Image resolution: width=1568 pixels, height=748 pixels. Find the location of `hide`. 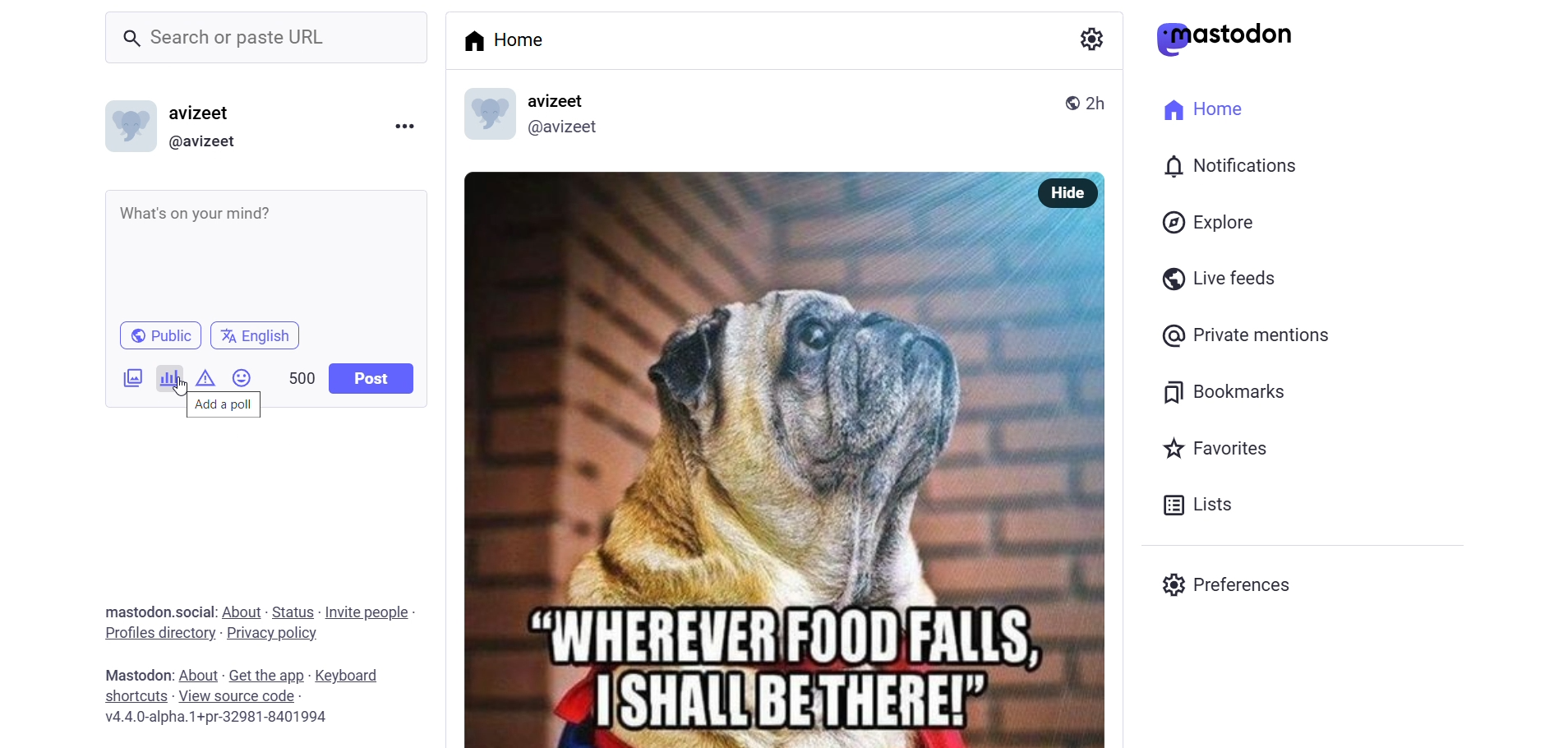

hide is located at coordinates (1063, 193).